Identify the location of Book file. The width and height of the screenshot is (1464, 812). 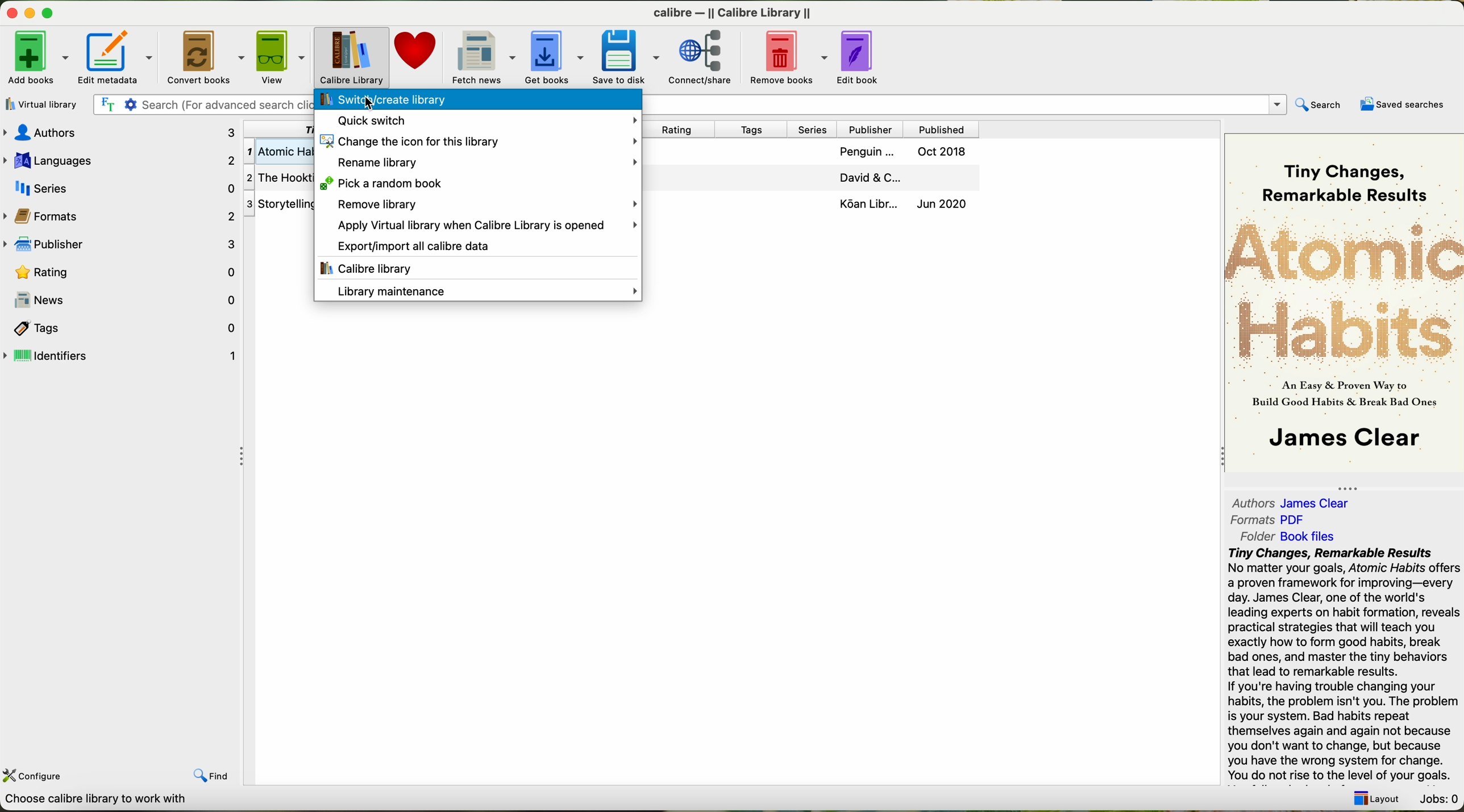
(1307, 536).